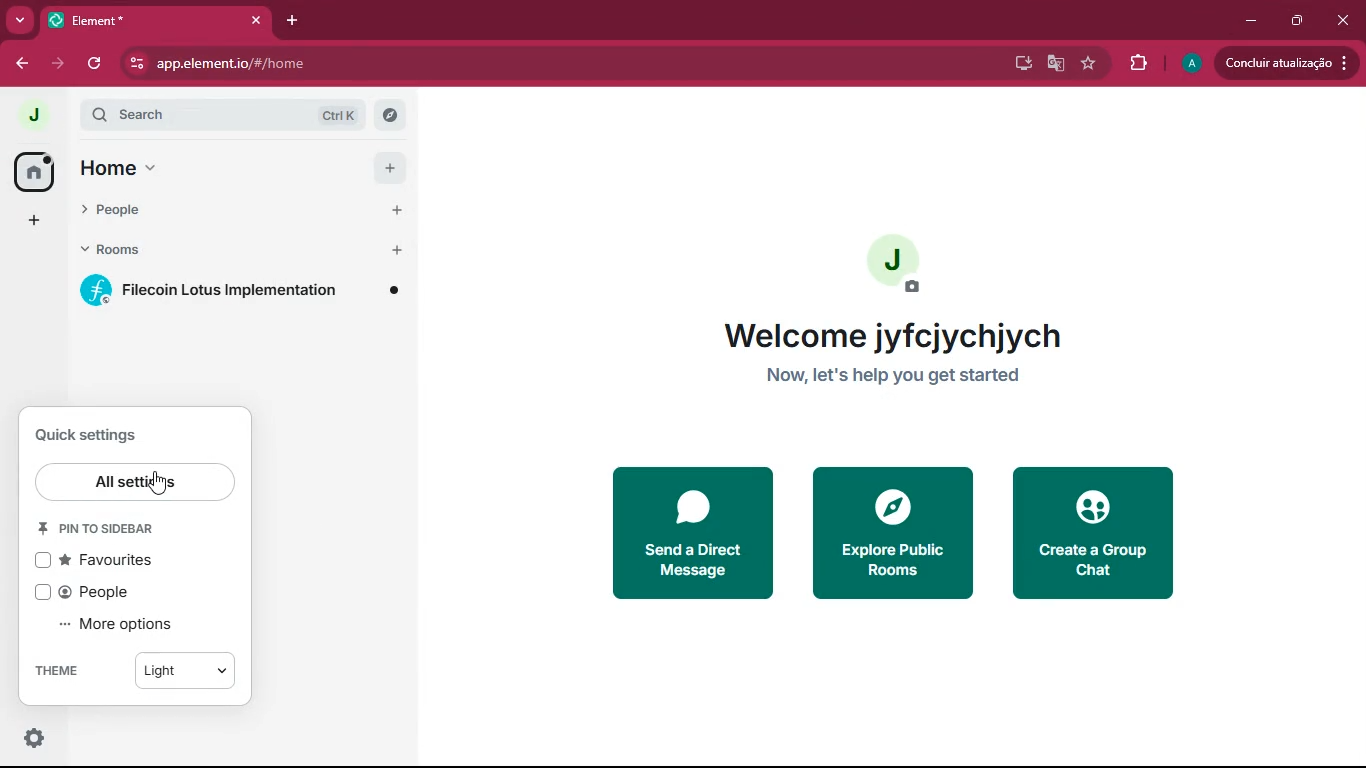 This screenshot has width=1366, height=768. Describe the element at coordinates (1191, 64) in the screenshot. I see `profile` at that location.